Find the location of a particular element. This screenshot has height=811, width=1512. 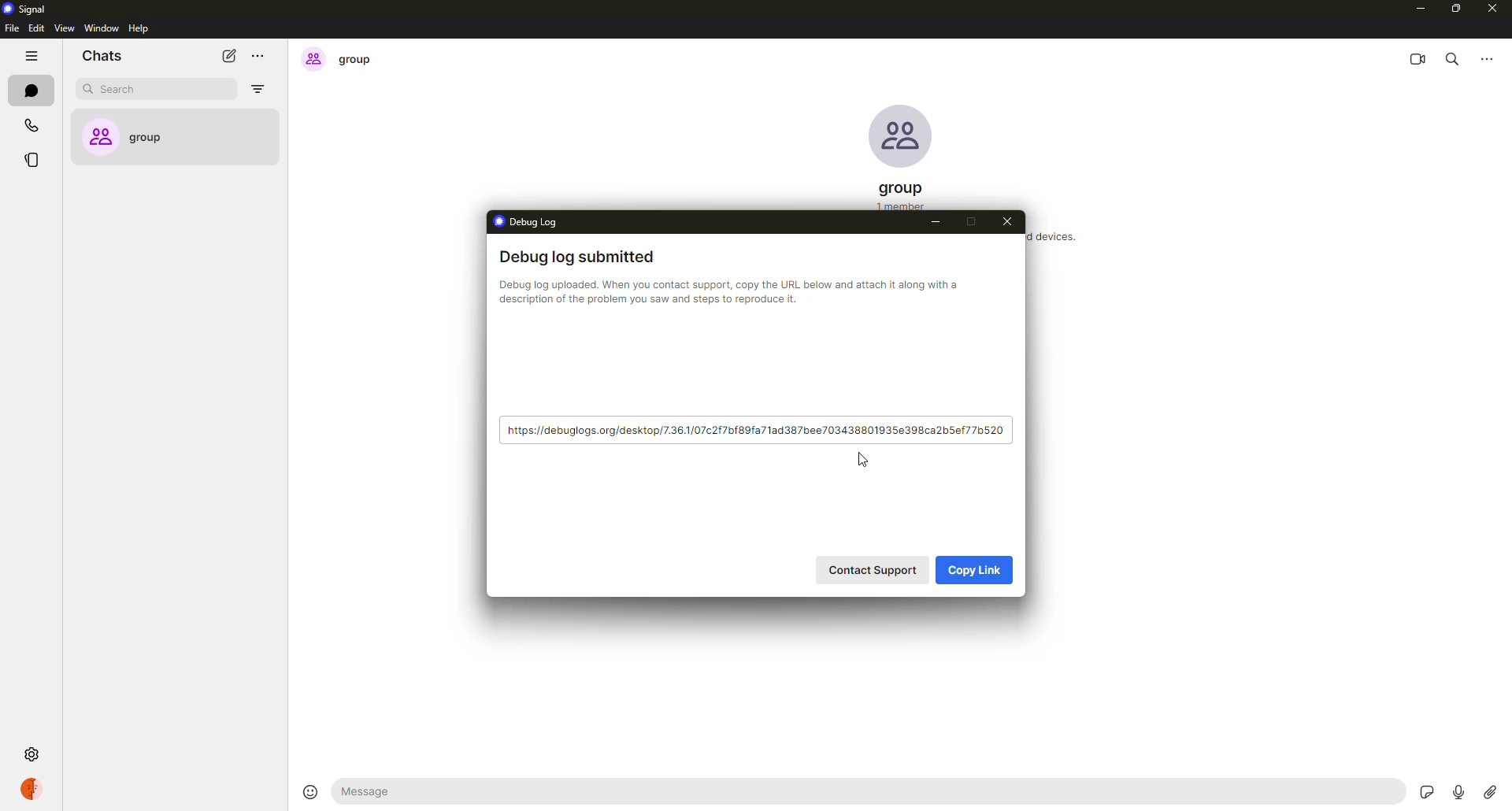

contact support is located at coordinates (873, 569).